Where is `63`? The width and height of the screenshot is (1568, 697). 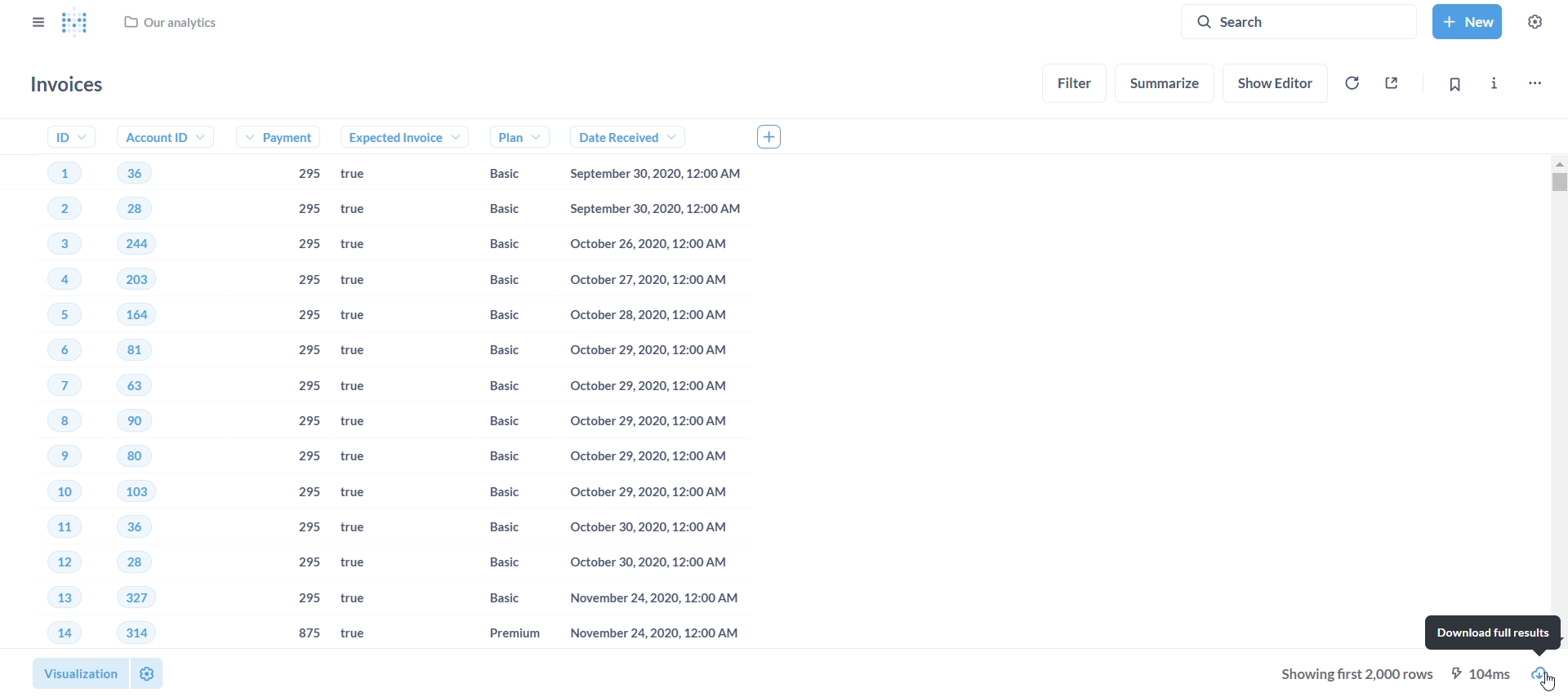 63 is located at coordinates (140, 384).